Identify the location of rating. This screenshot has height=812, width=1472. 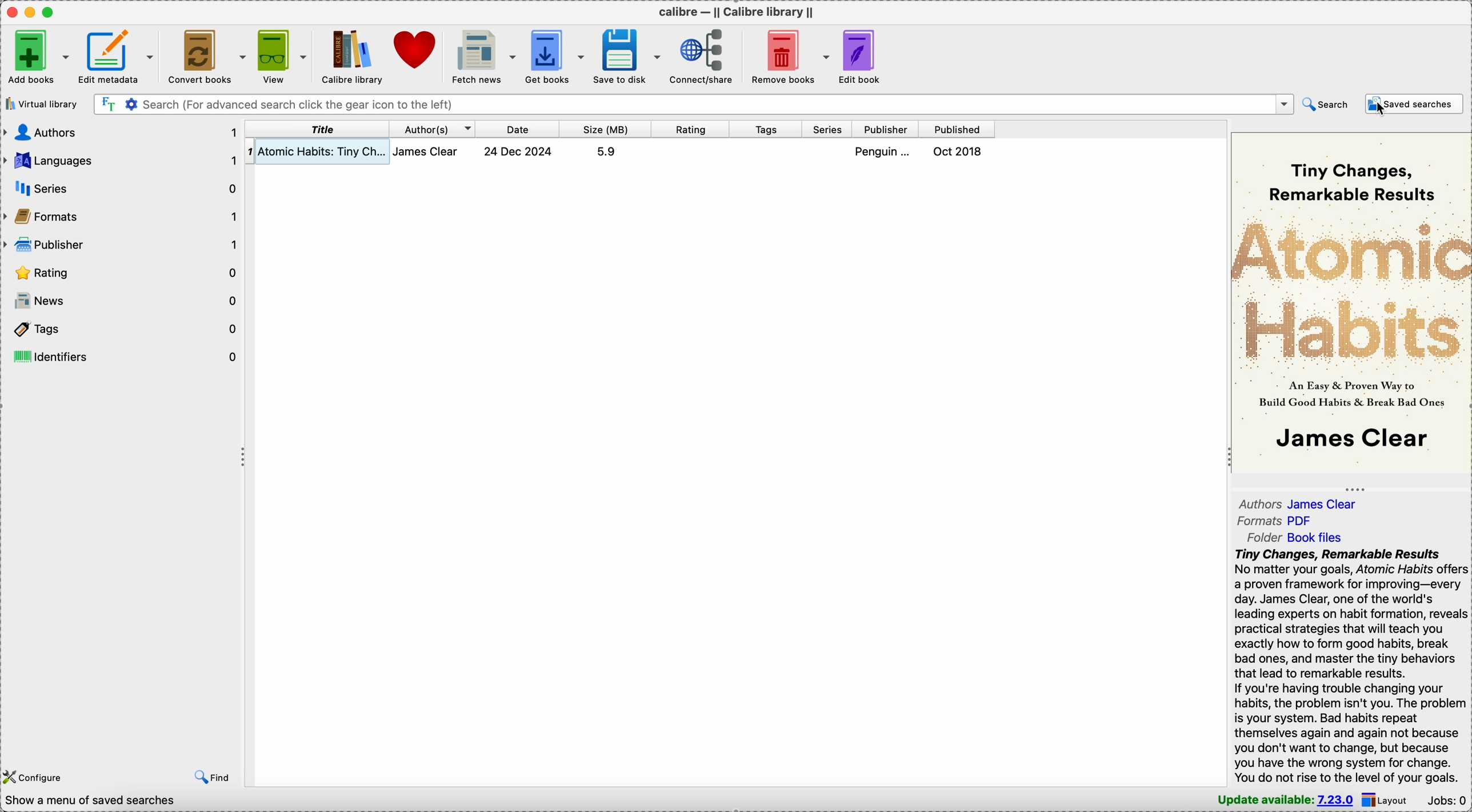
(691, 129).